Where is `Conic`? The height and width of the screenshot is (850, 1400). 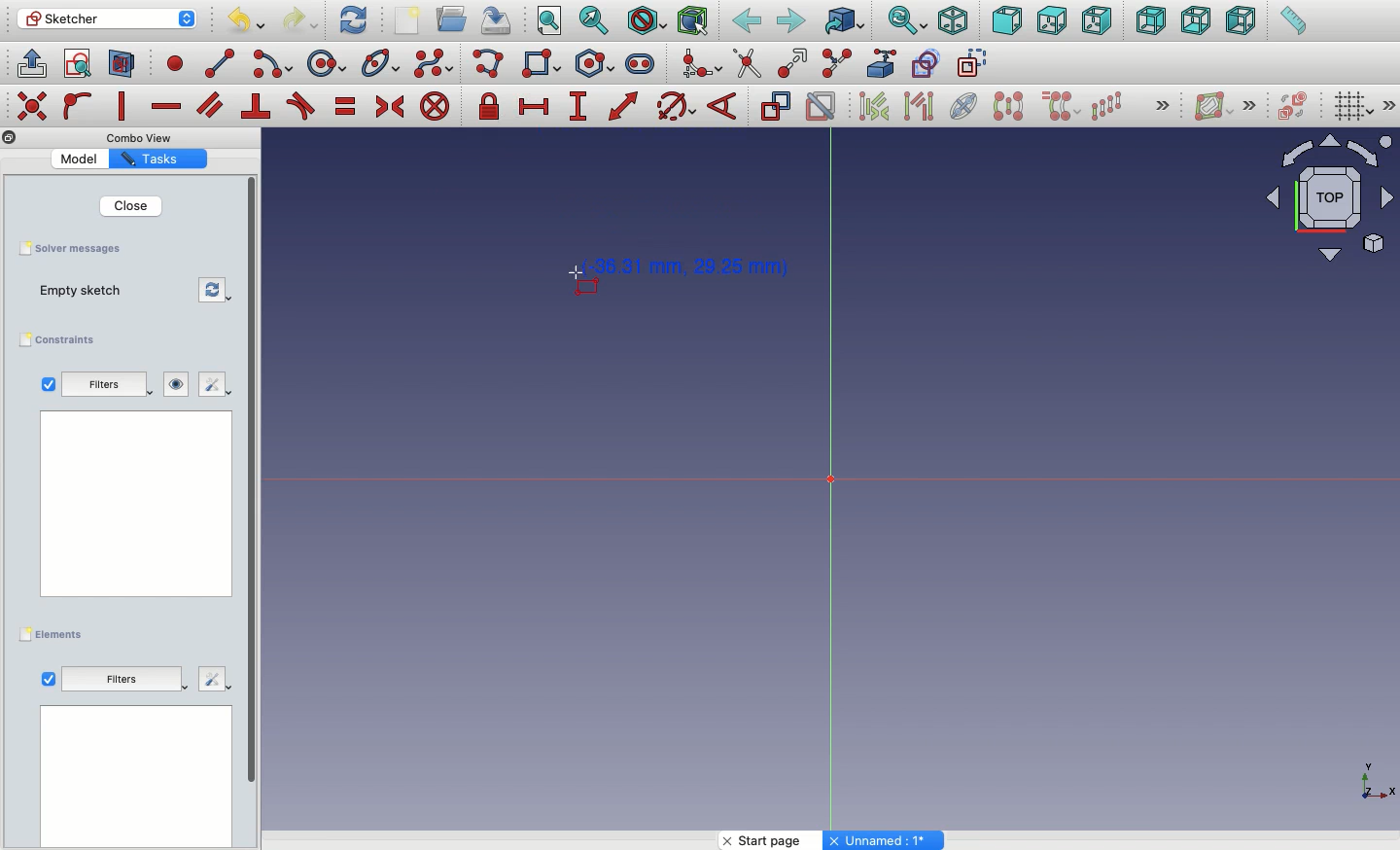 Conic is located at coordinates (382, 64).